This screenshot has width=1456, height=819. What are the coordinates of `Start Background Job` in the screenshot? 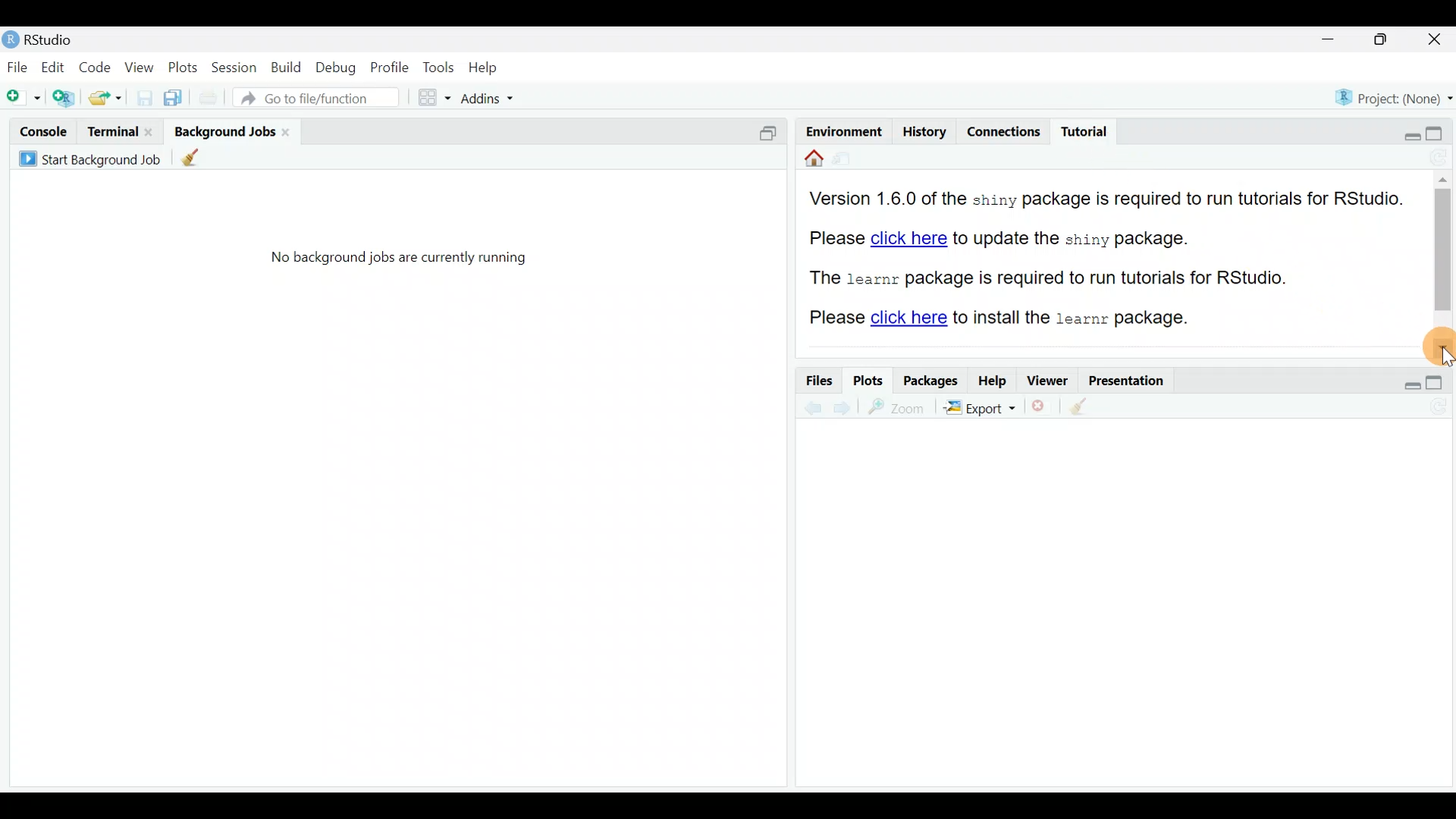 It's located at (89, 158).